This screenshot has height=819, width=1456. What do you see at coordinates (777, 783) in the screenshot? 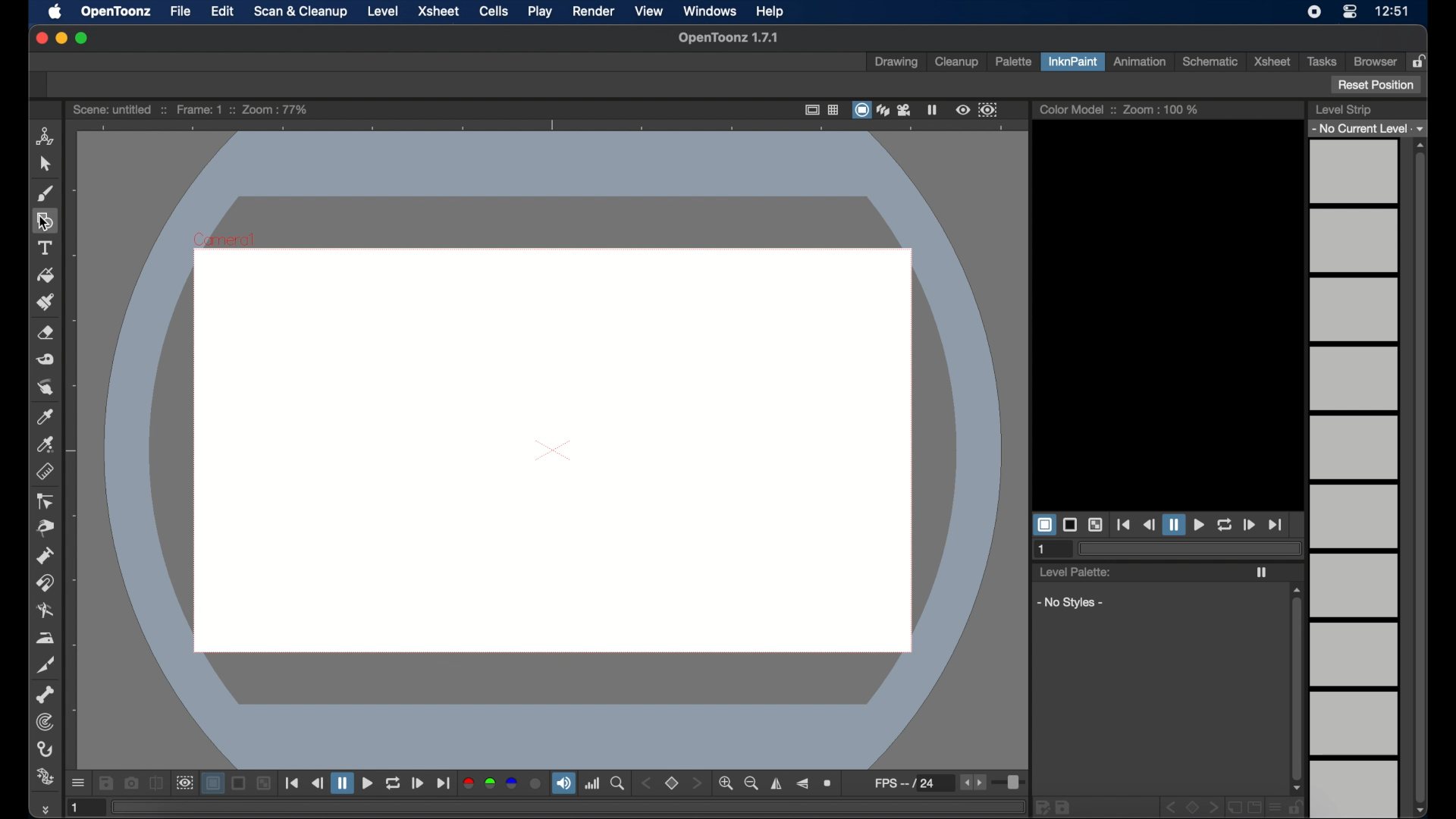
I see `flip horizontally` at bounding box center [777, 783].